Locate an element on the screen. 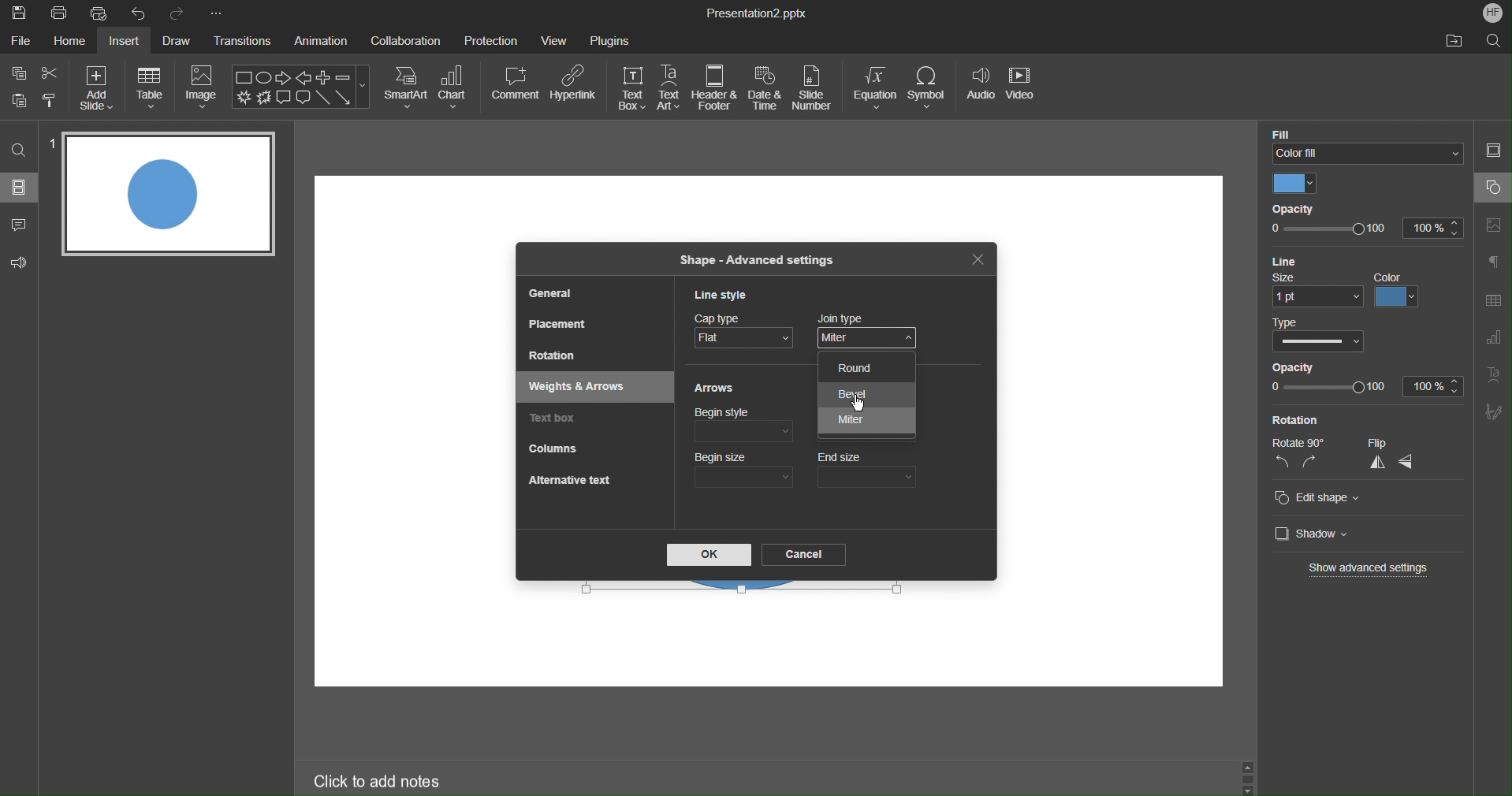 This screenshot has height=796, width=1512. Add Size is located at coordinates (96, 87).